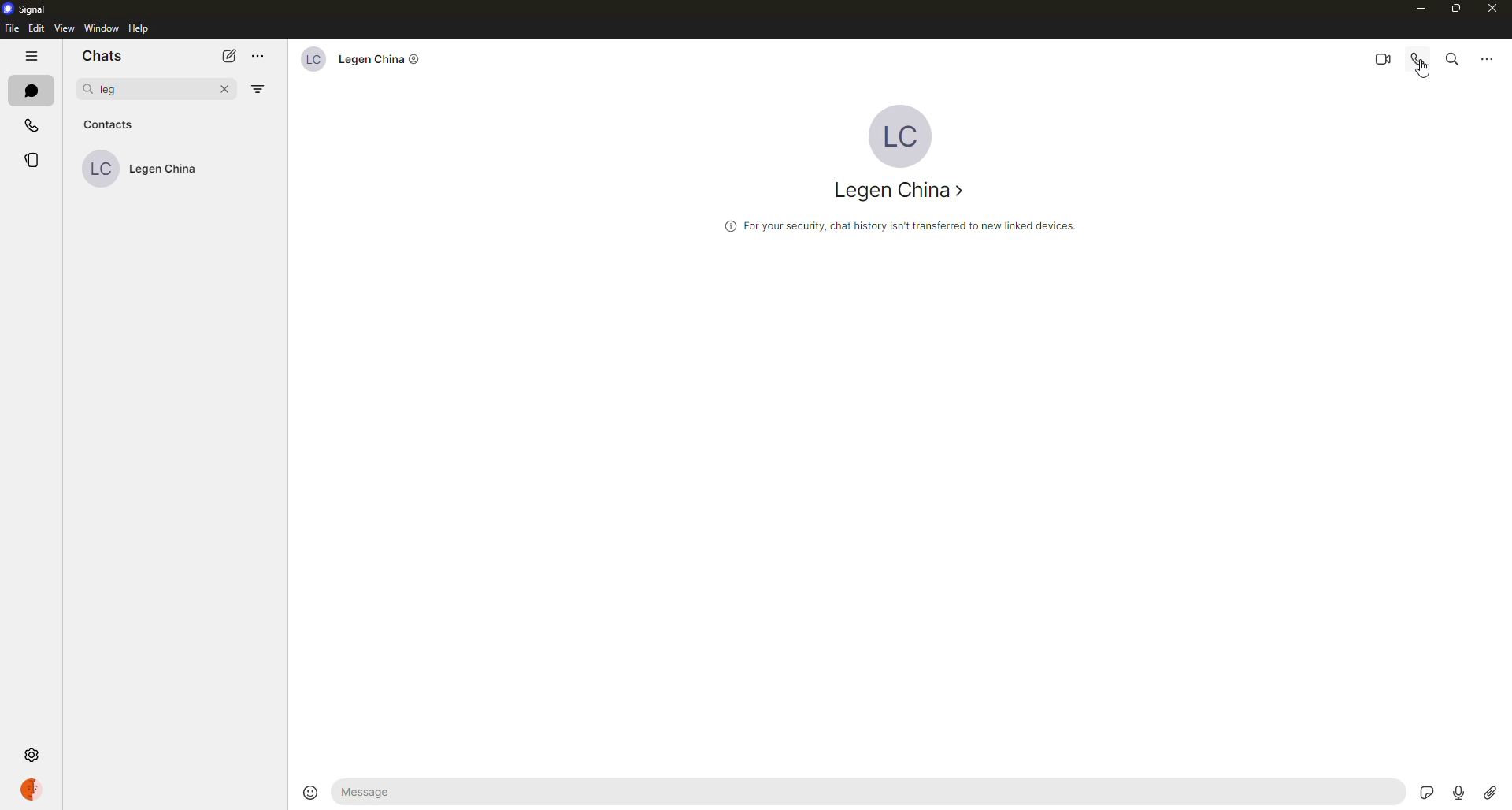 This screenshot has height=810, width=1512. Describe the element at coordinates (905, 134) in the screenshot. I see `profile pic` at that location.